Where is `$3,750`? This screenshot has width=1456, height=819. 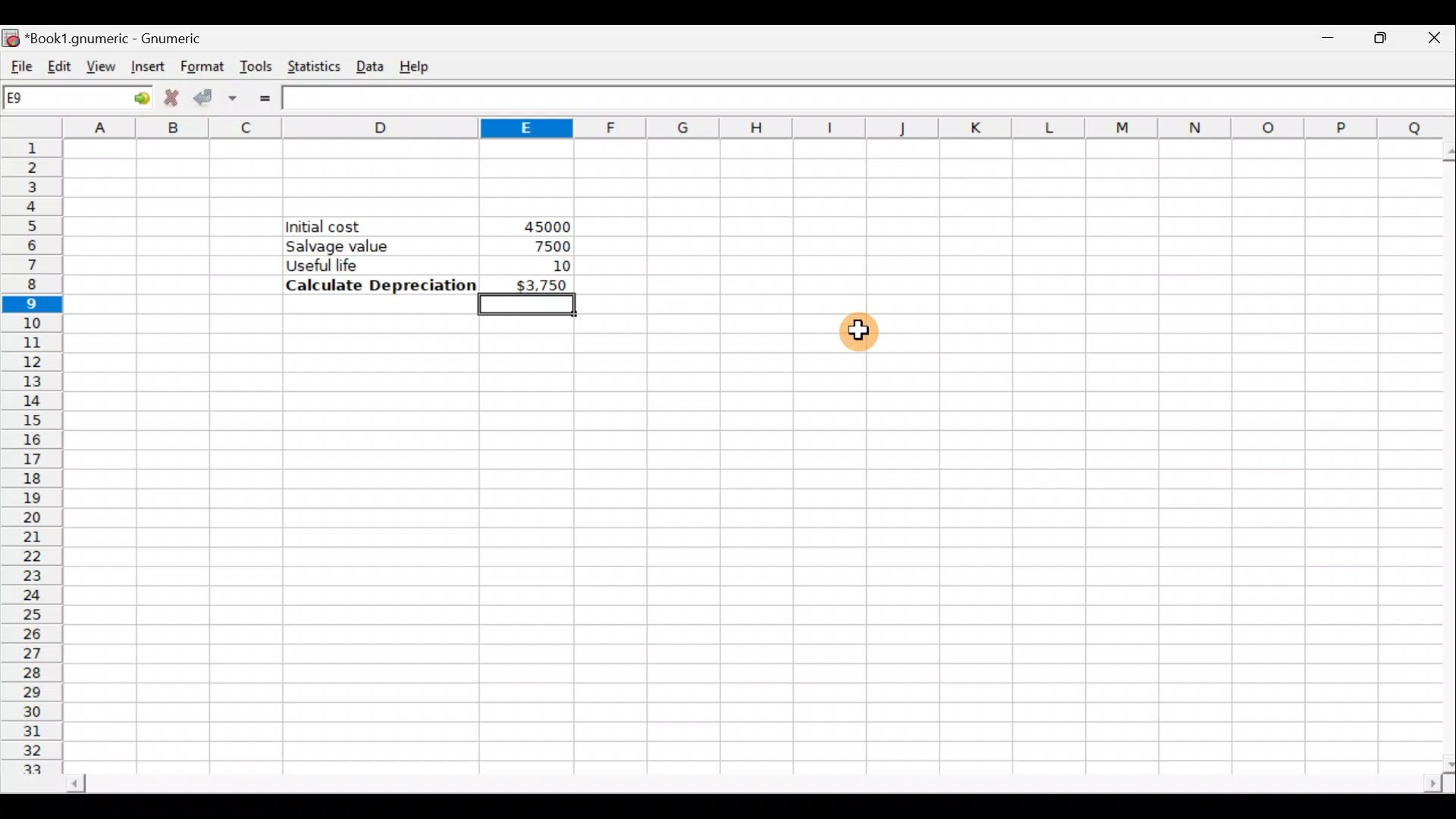 $3,750 is located at coordinates (528, 284).